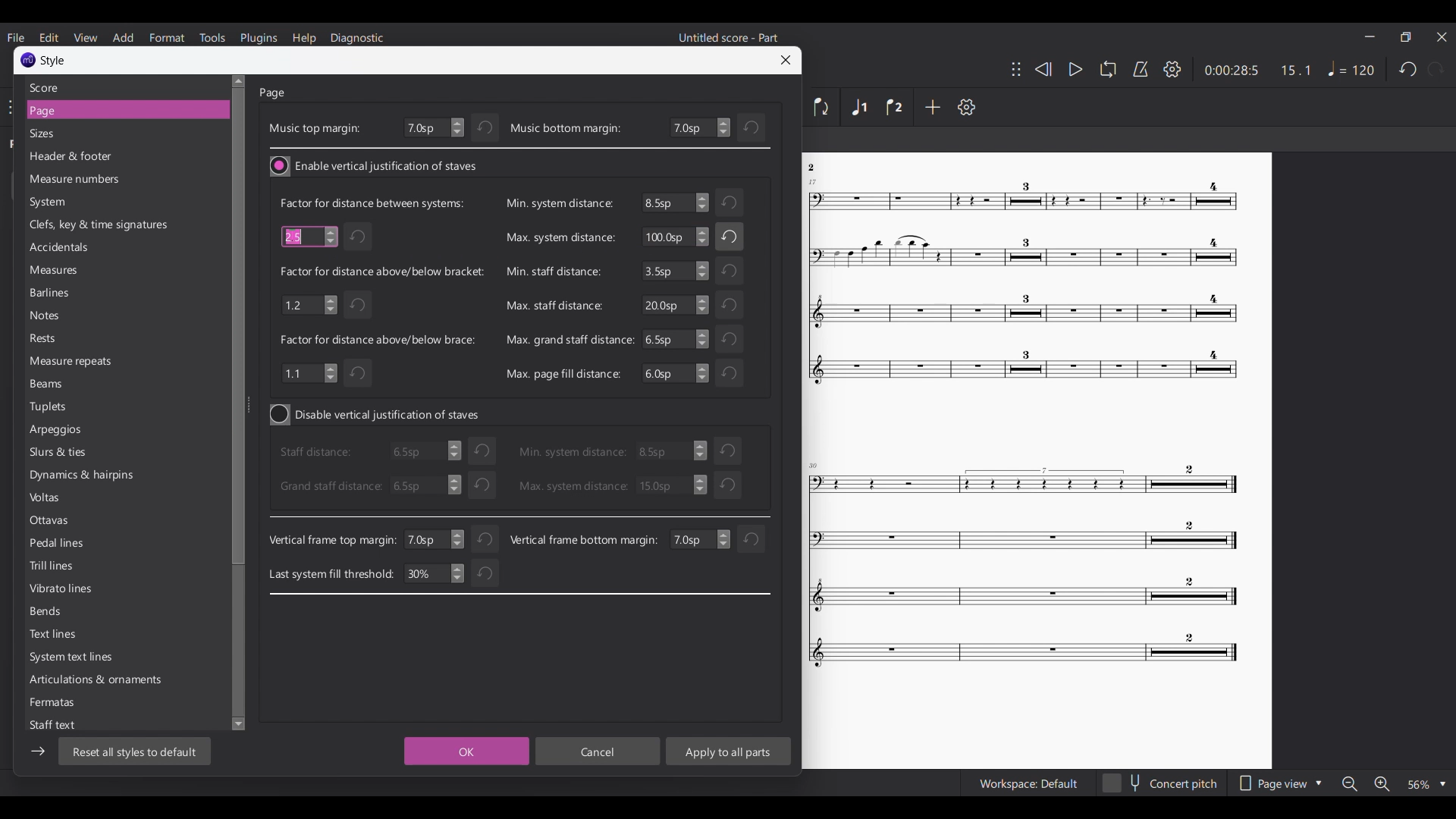  Describe the element at coordinates (85, 37) in the screenshot. I see `View menu` at that location.